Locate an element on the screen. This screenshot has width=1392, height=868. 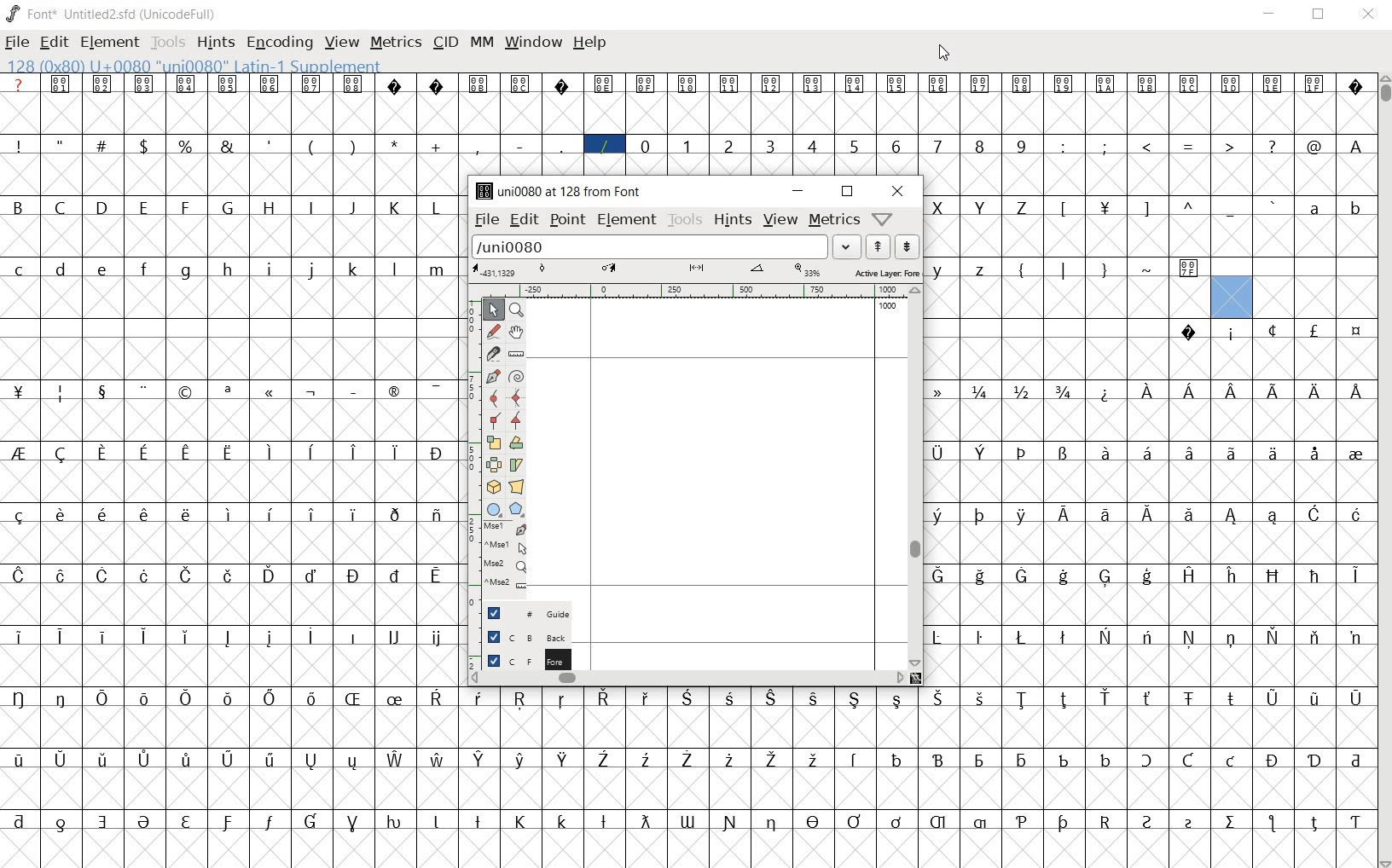
glyph is located at coordinates (1022, 637).